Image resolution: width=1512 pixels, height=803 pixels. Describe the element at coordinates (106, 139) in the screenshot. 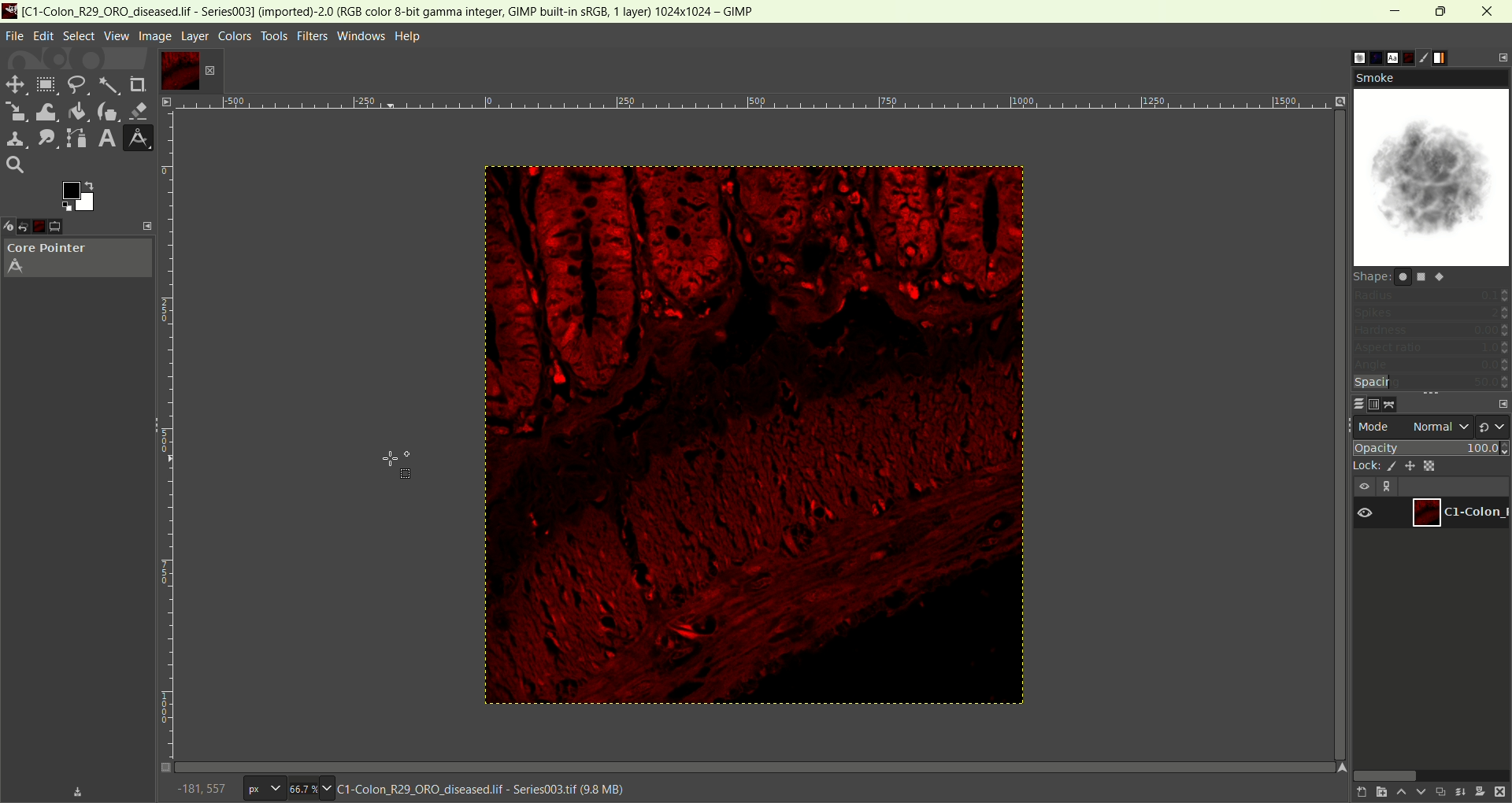

I see `text tool` at that location.